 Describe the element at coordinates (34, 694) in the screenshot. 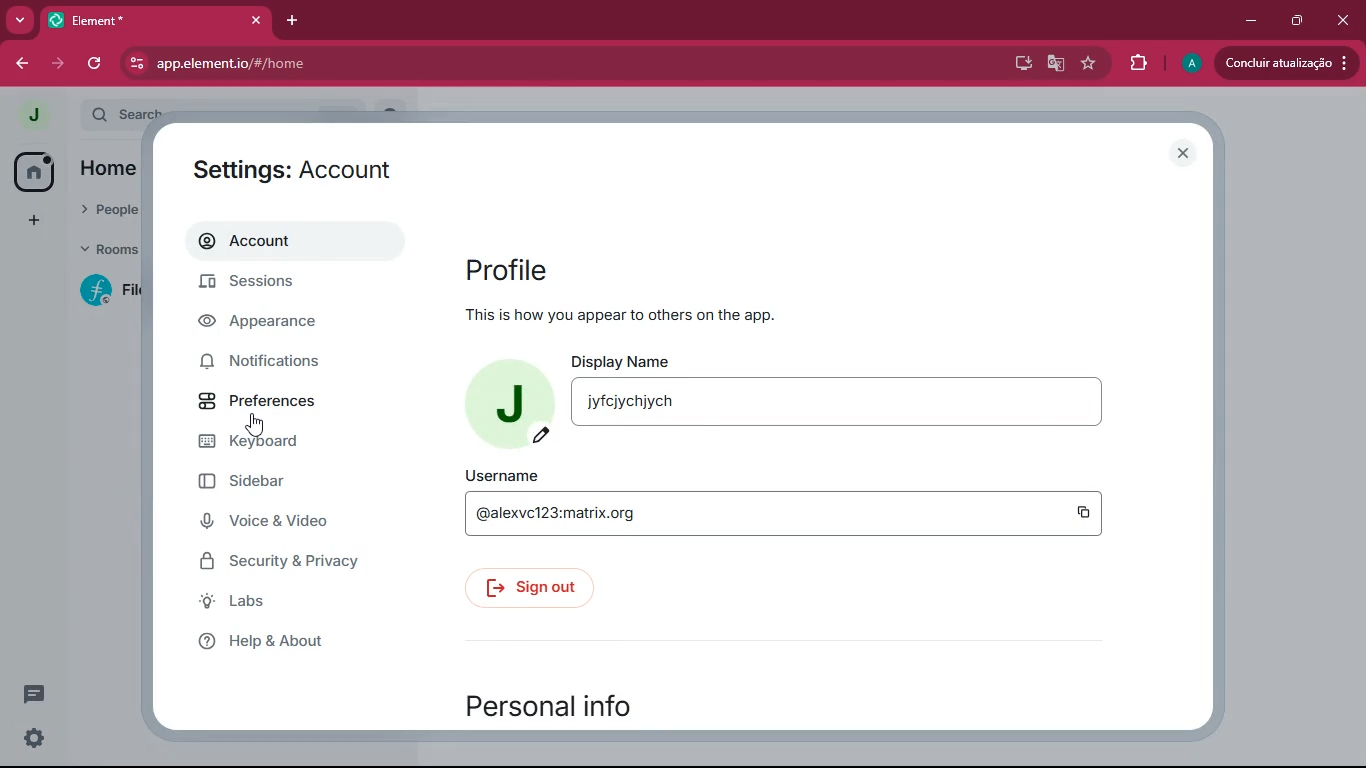

I see `comments` at that location.